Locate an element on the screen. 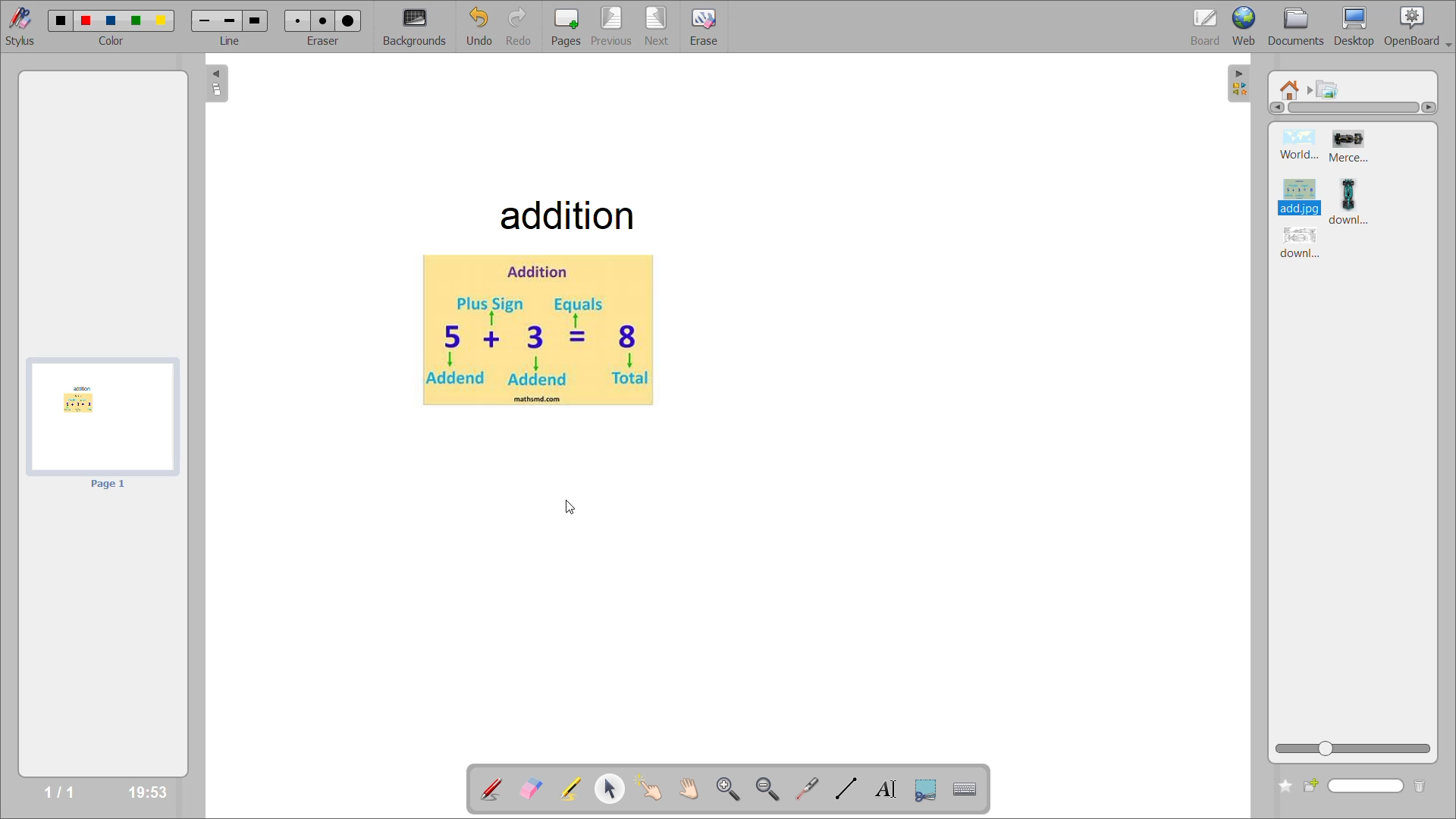 This screenshot has height=819, width=1456. draw lines is located at coordinates (849, 790).